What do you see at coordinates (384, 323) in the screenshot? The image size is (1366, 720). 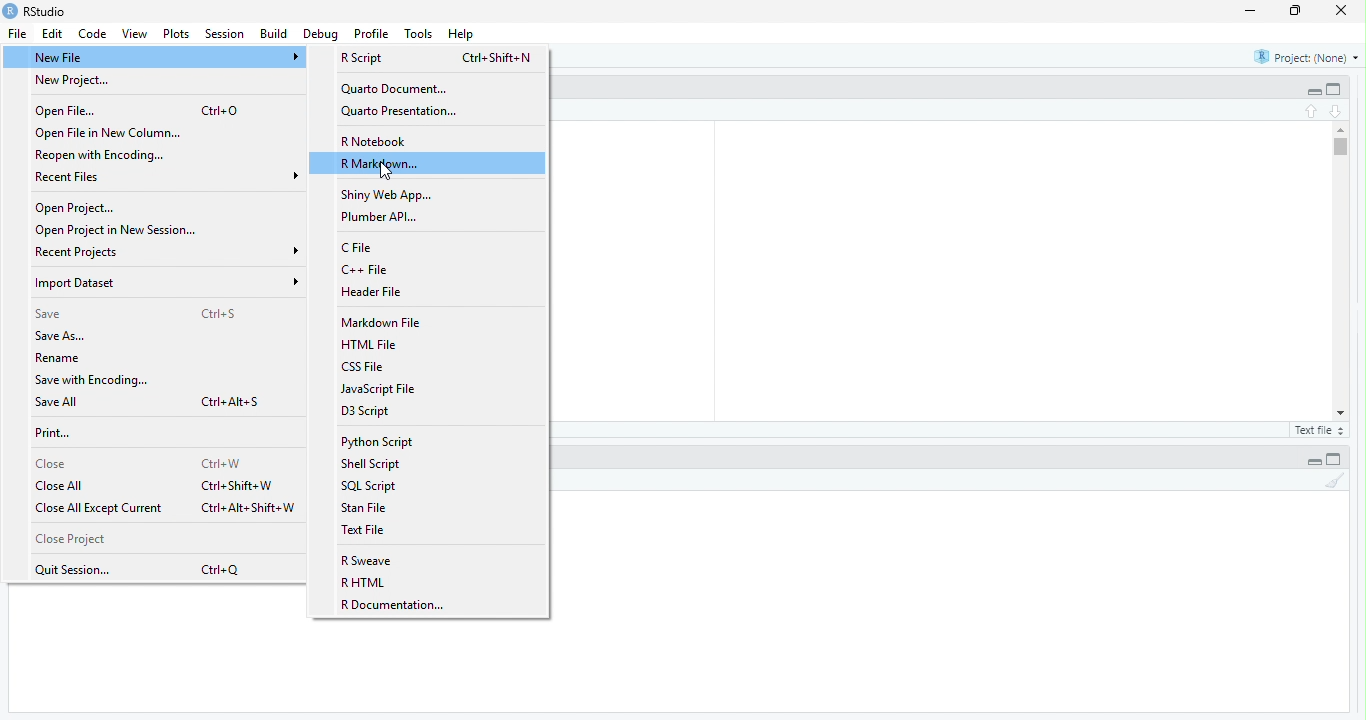 I see `‘Markdown File` at bounding box center [384, 323].